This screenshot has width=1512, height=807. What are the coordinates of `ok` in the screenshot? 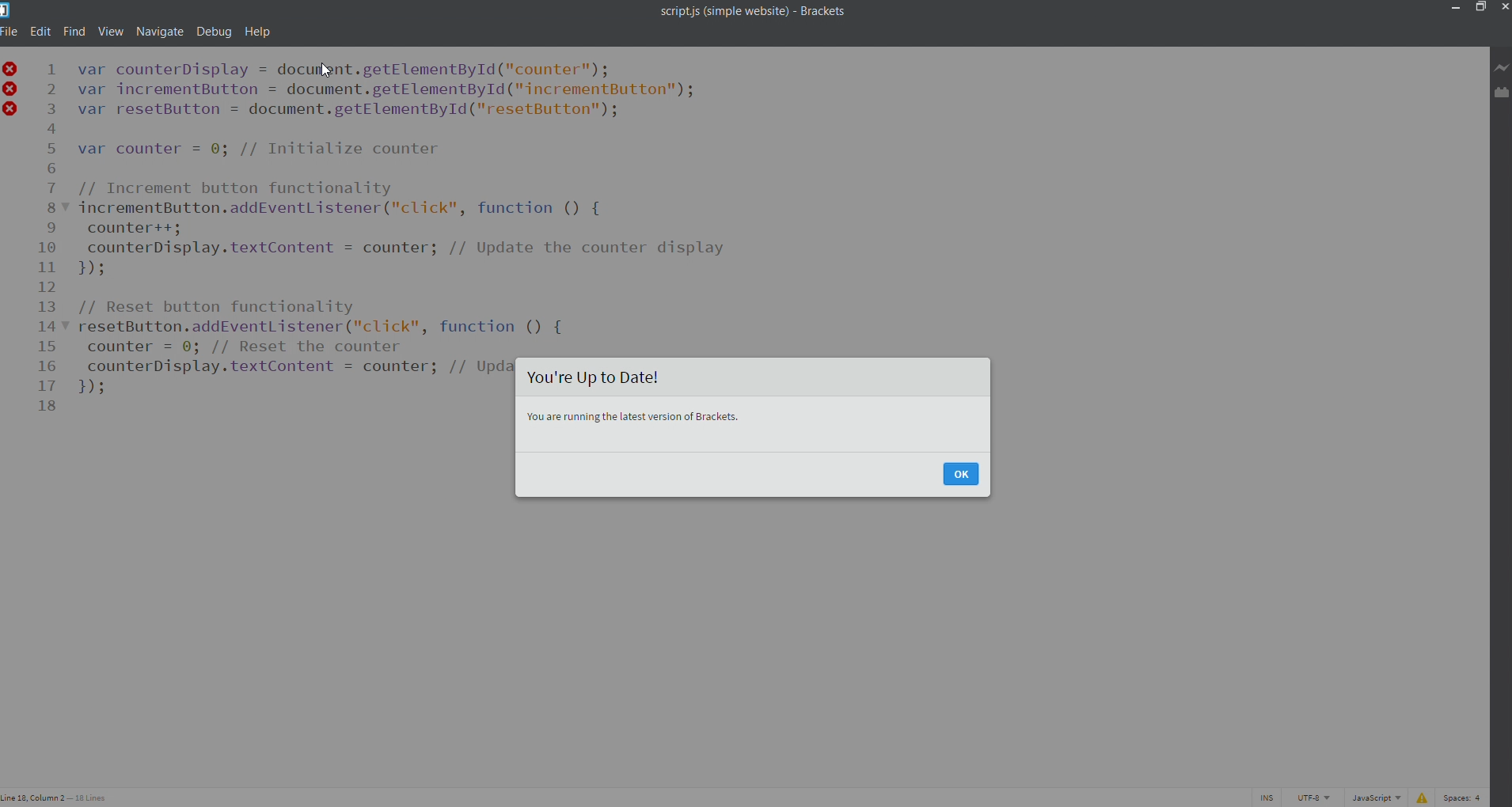 It's located at (961, 475).